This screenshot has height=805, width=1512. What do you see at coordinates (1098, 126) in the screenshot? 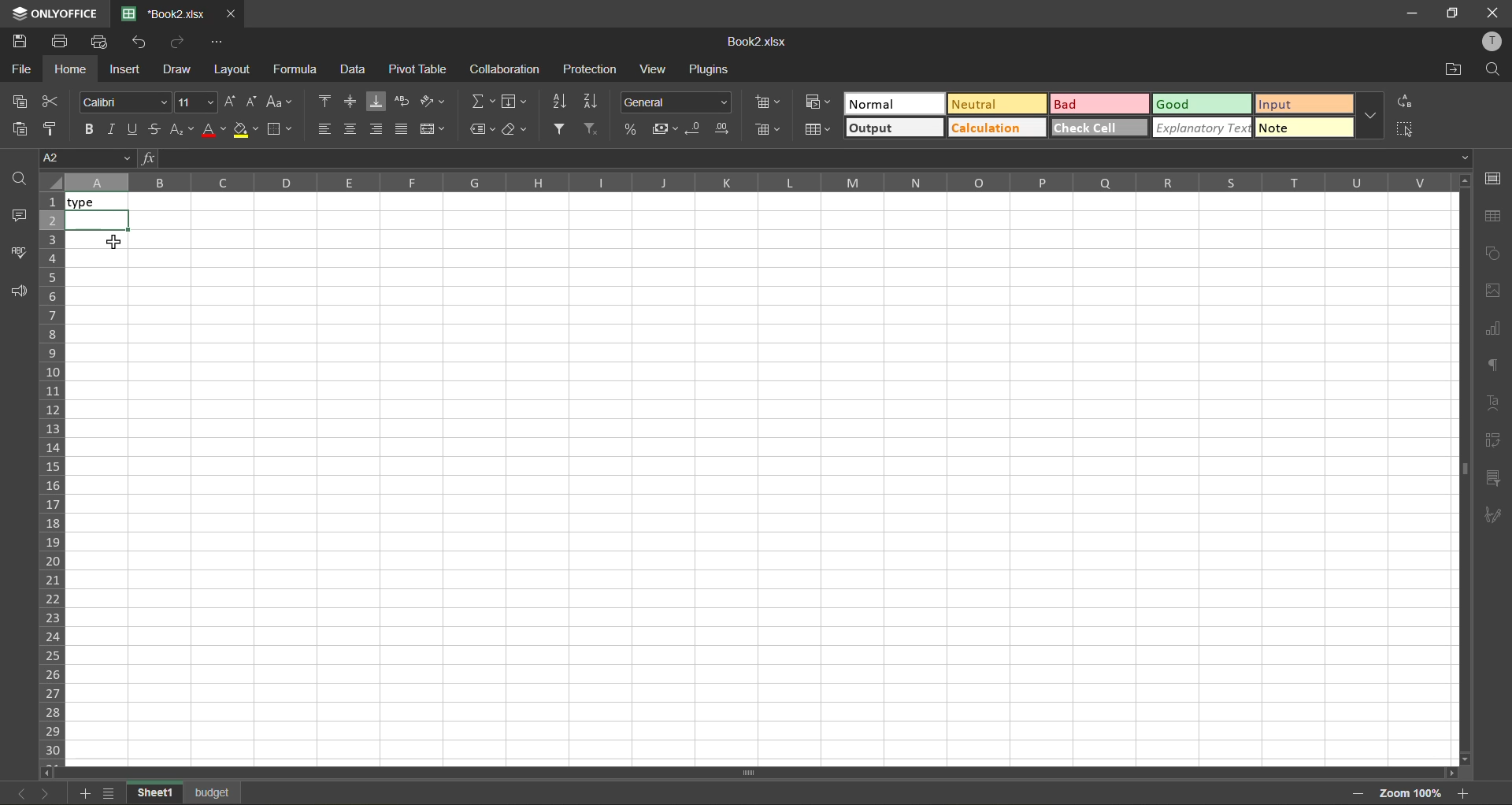
I see `check cell` at bounding box center [1098, 126].